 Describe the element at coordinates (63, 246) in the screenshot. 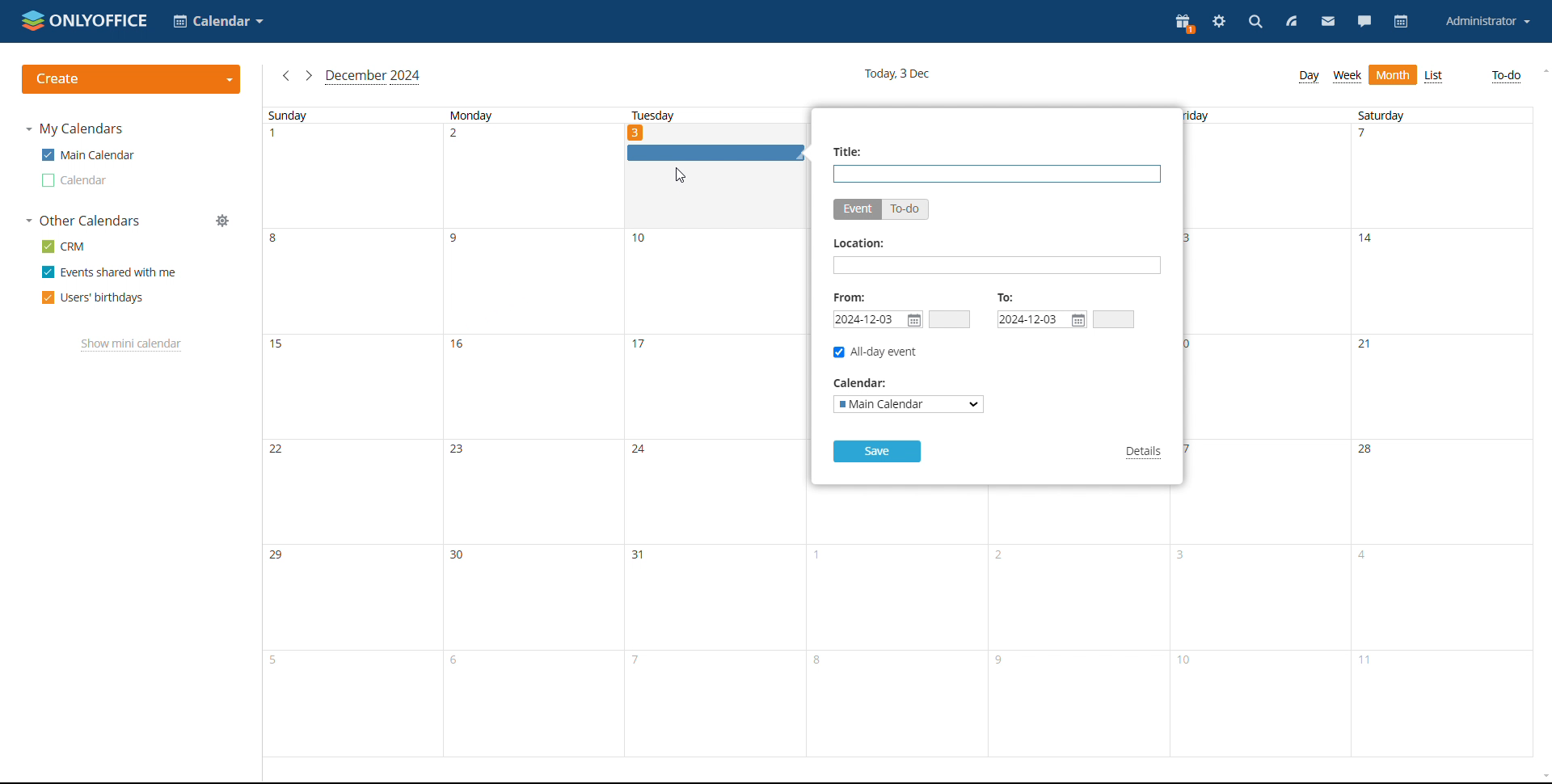

I see `crm` at that location.